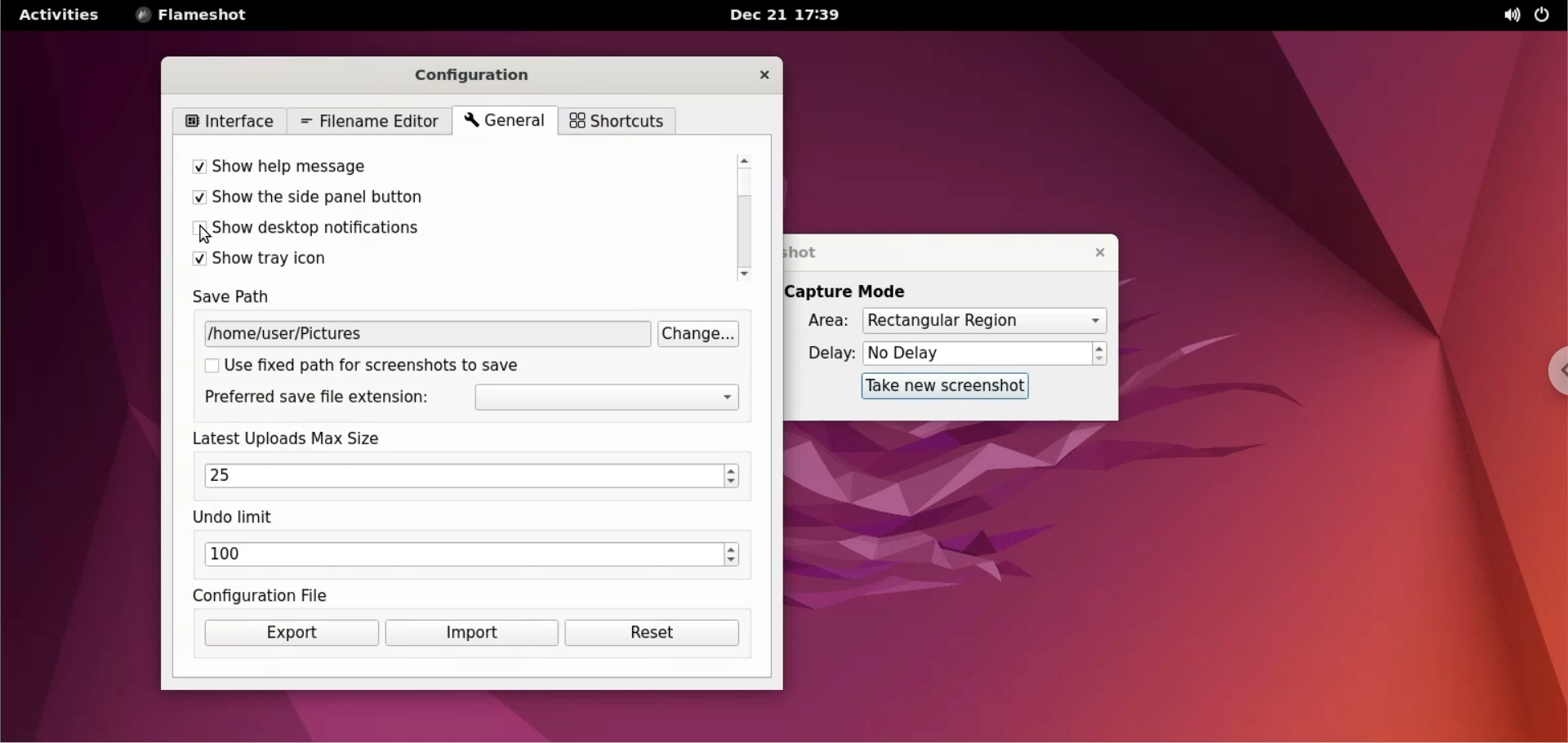  What do you see at coordinates (195, 16) in the screenshot?
I see `flameshot menu` at bounding box center [195, 16].